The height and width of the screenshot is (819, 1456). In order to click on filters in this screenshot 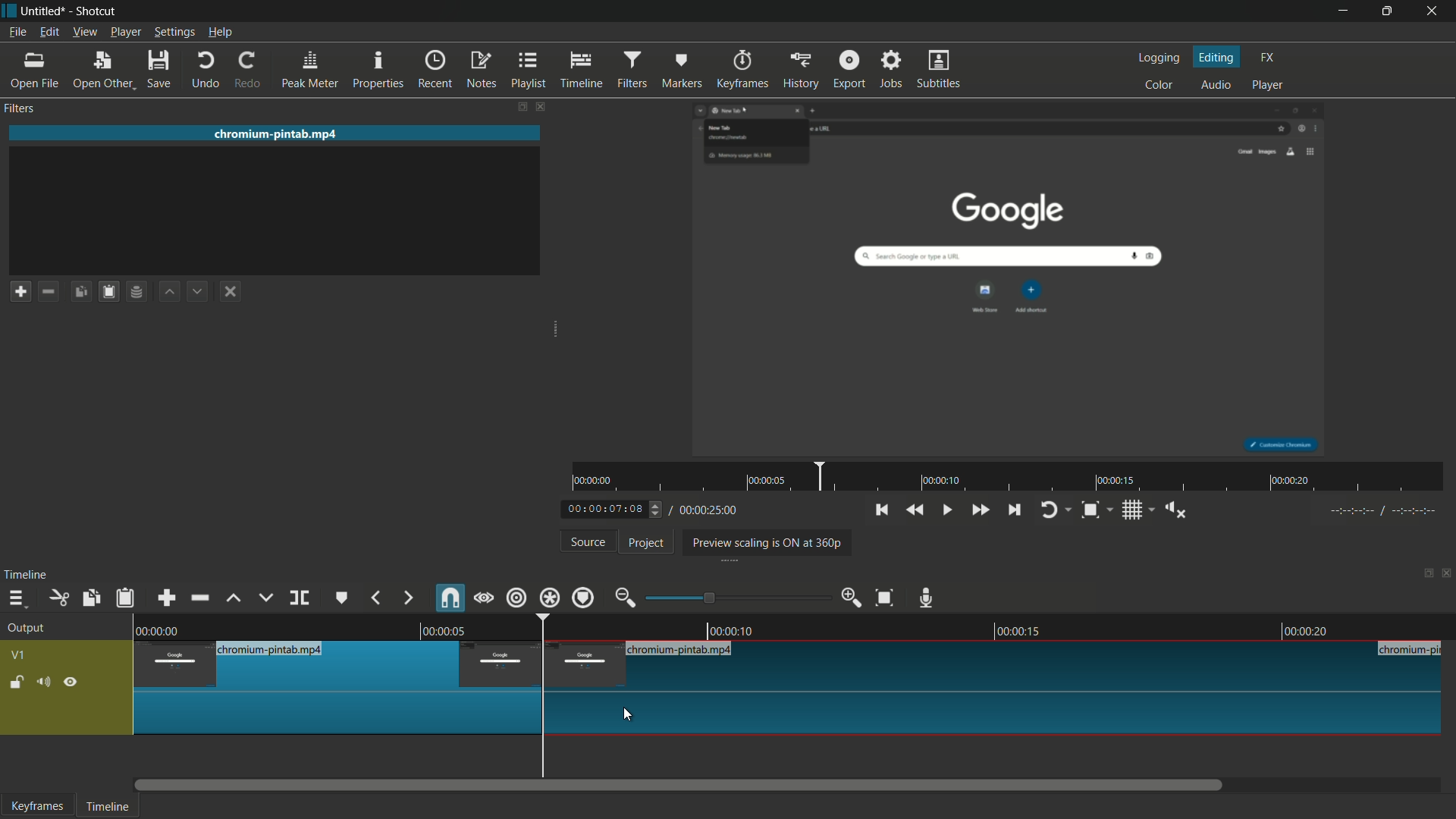, I will do `click(630, 71)`.